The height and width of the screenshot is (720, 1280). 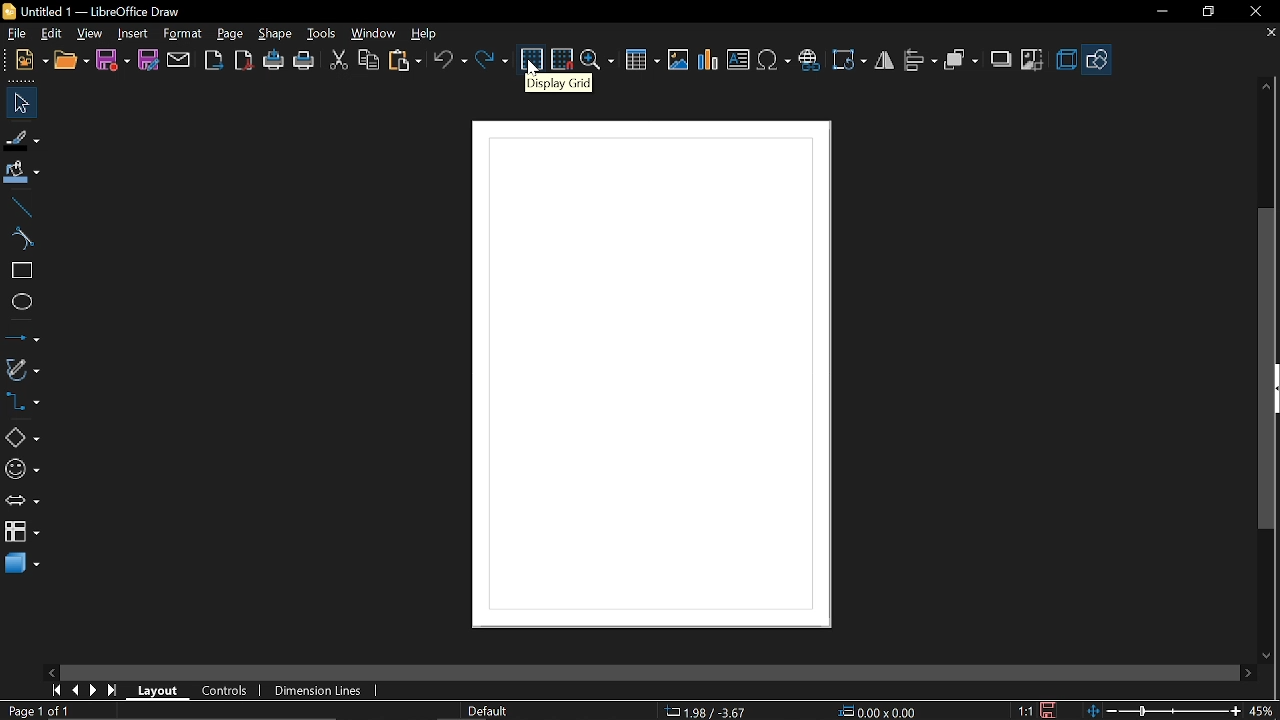 I want to click on basic shapes, so click(x=22, y=436).